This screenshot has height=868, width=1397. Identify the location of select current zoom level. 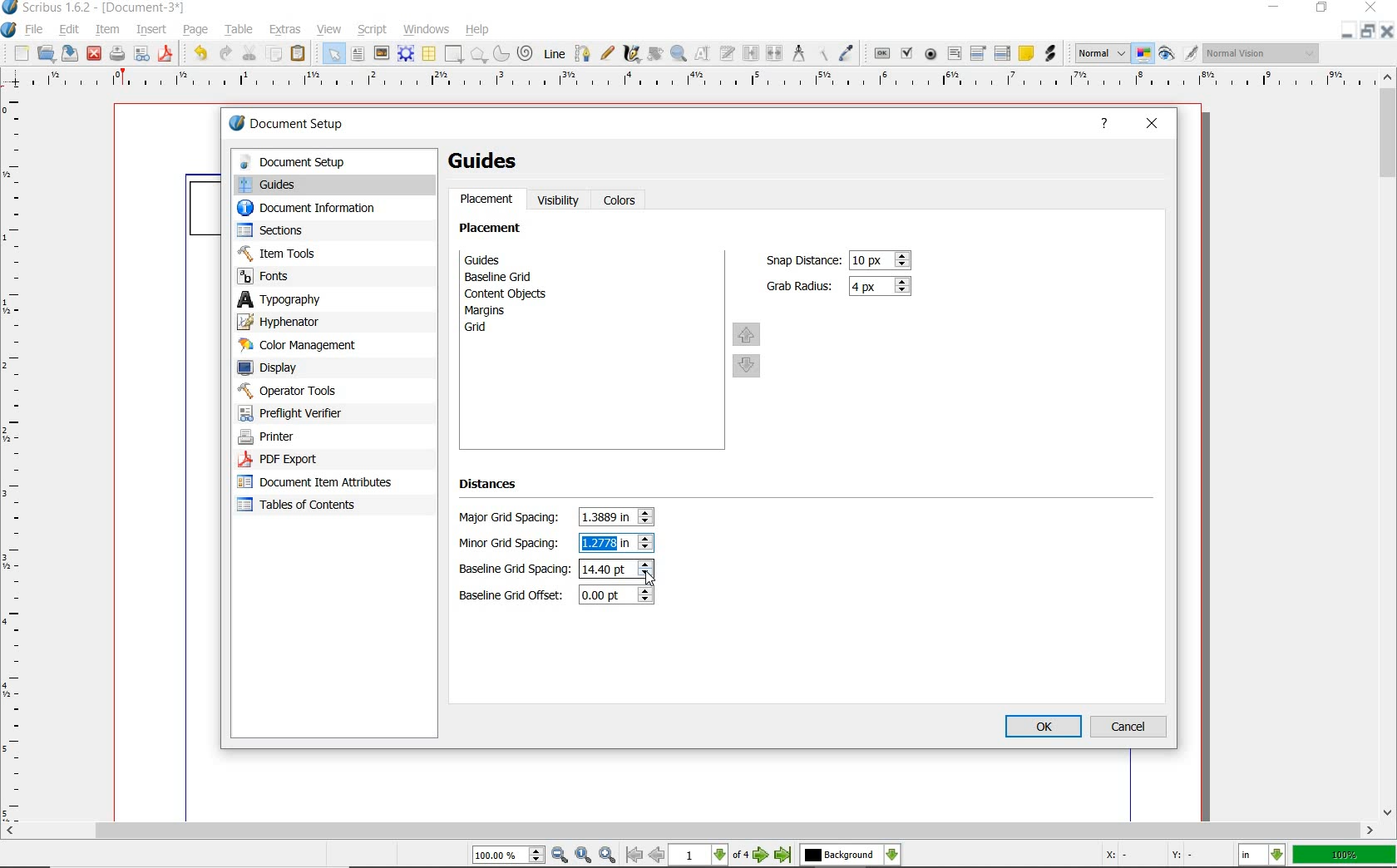
(510, 855).